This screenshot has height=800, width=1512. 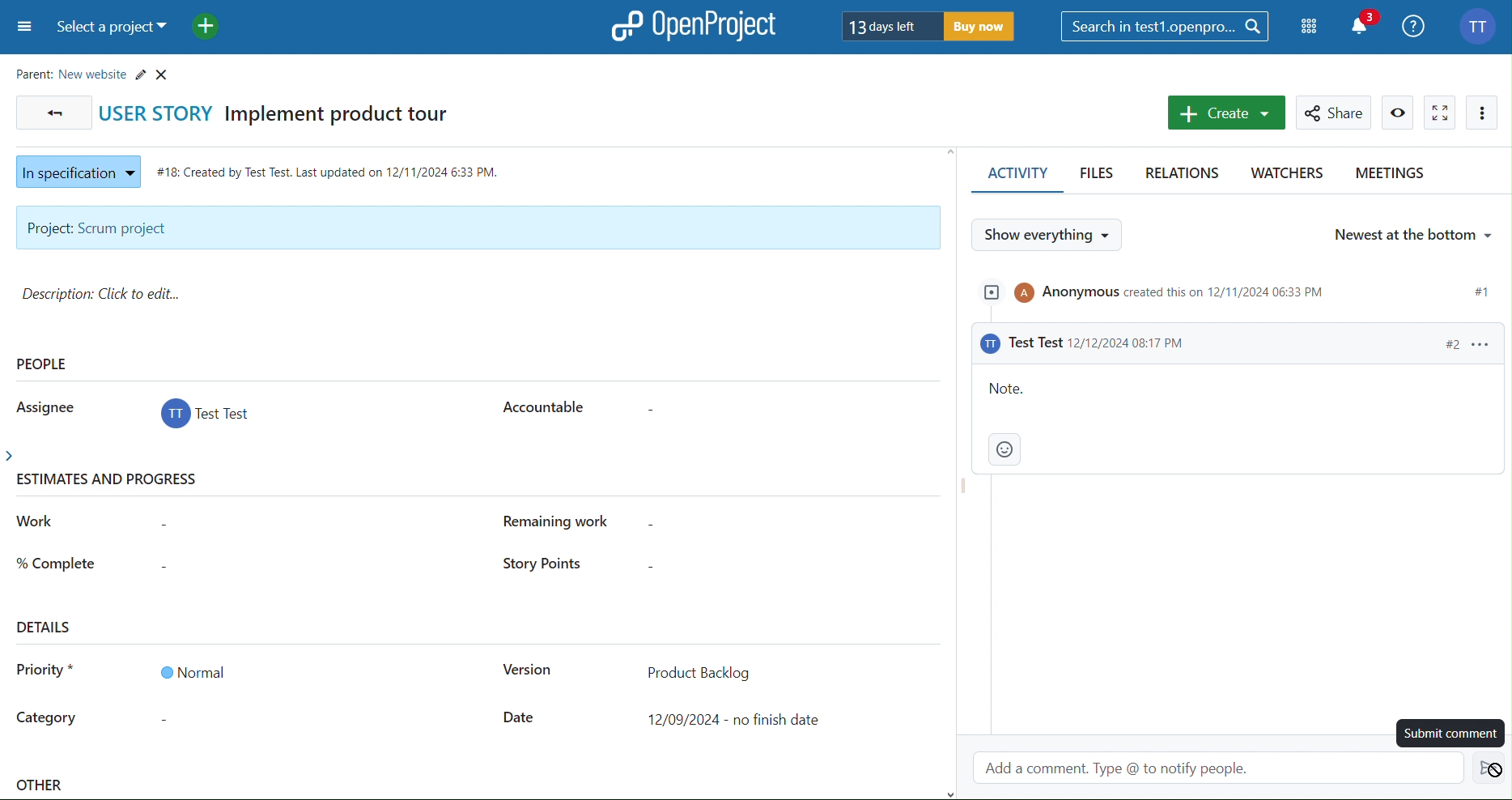 I want to click on Show everything, so click(x=1049, y=234).